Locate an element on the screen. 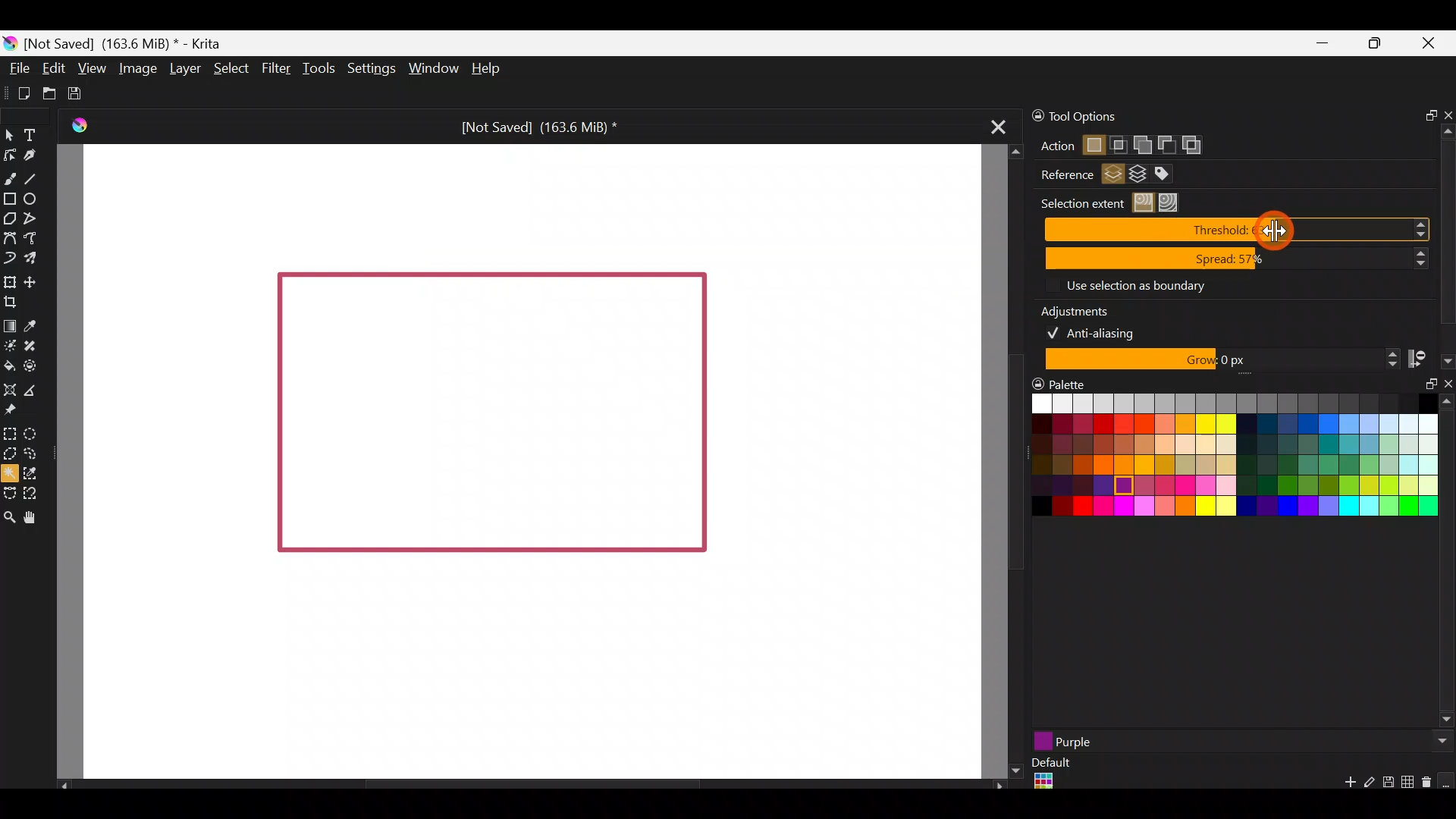  Action is located at coordinates (1050, 146).